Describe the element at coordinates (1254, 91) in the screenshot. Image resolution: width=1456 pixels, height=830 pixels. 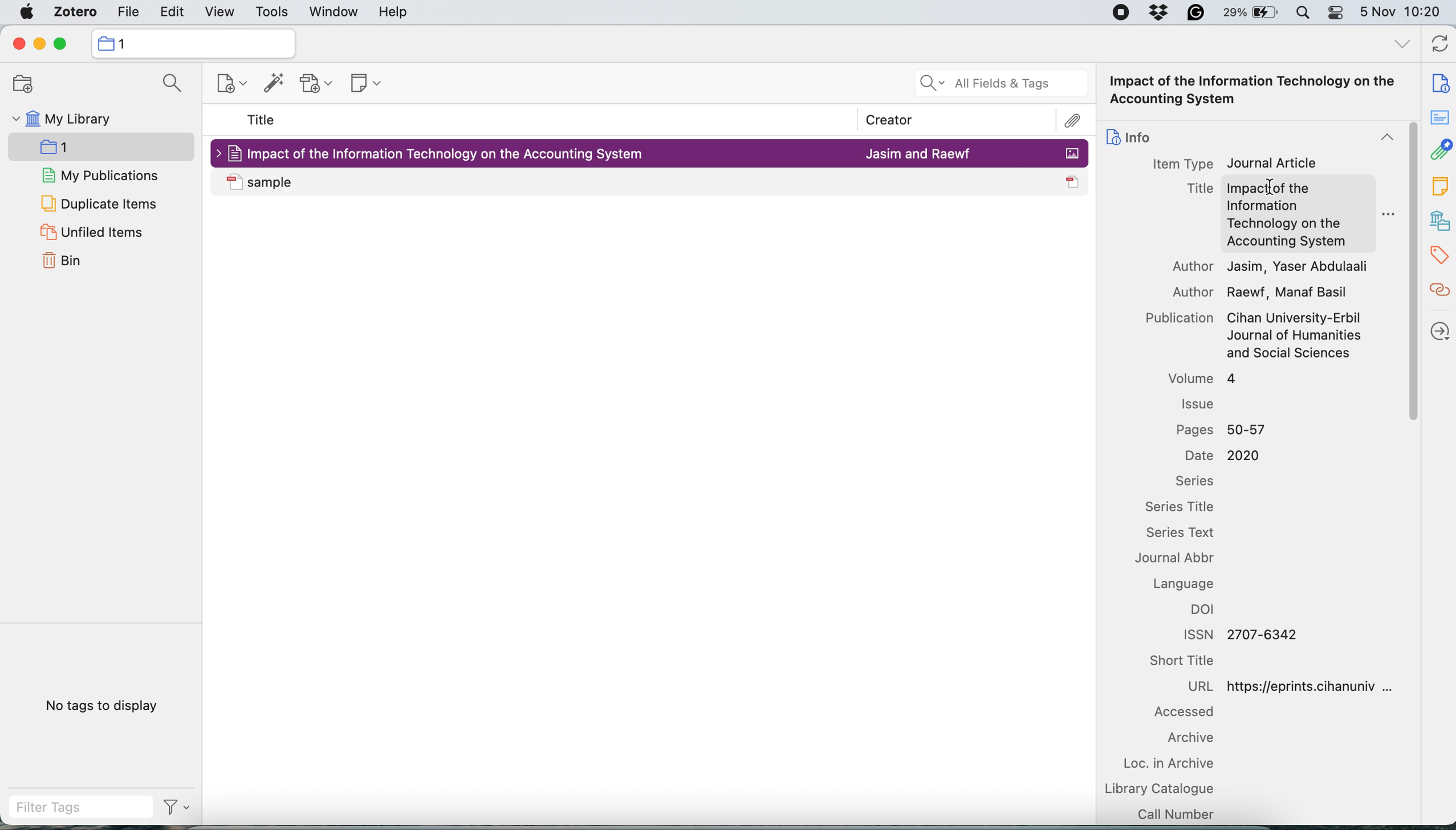
I see `Impact of the Information Technology on the Accounting System` at that location.